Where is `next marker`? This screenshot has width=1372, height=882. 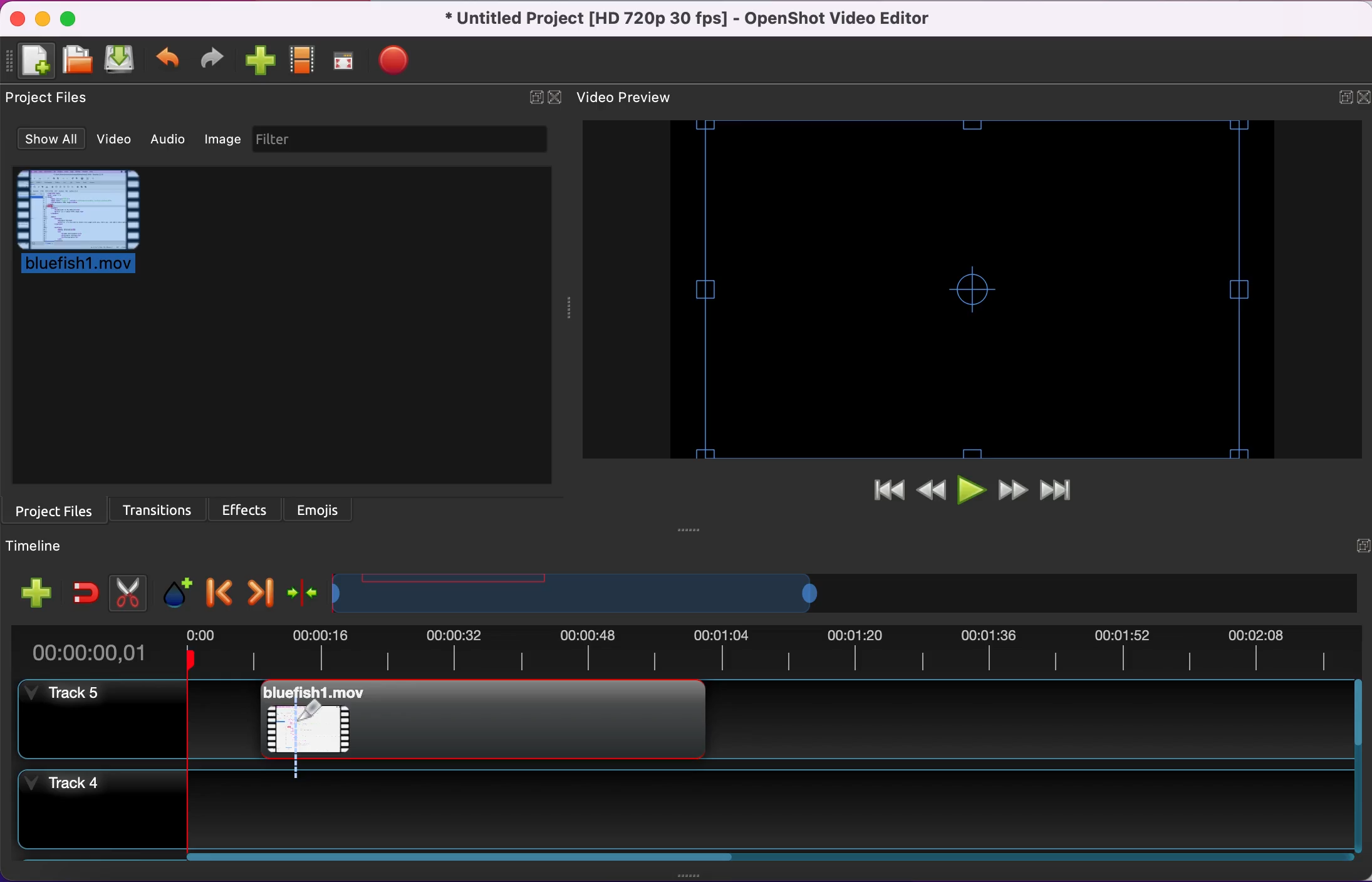 next marker is located at coordinates (257, 590).